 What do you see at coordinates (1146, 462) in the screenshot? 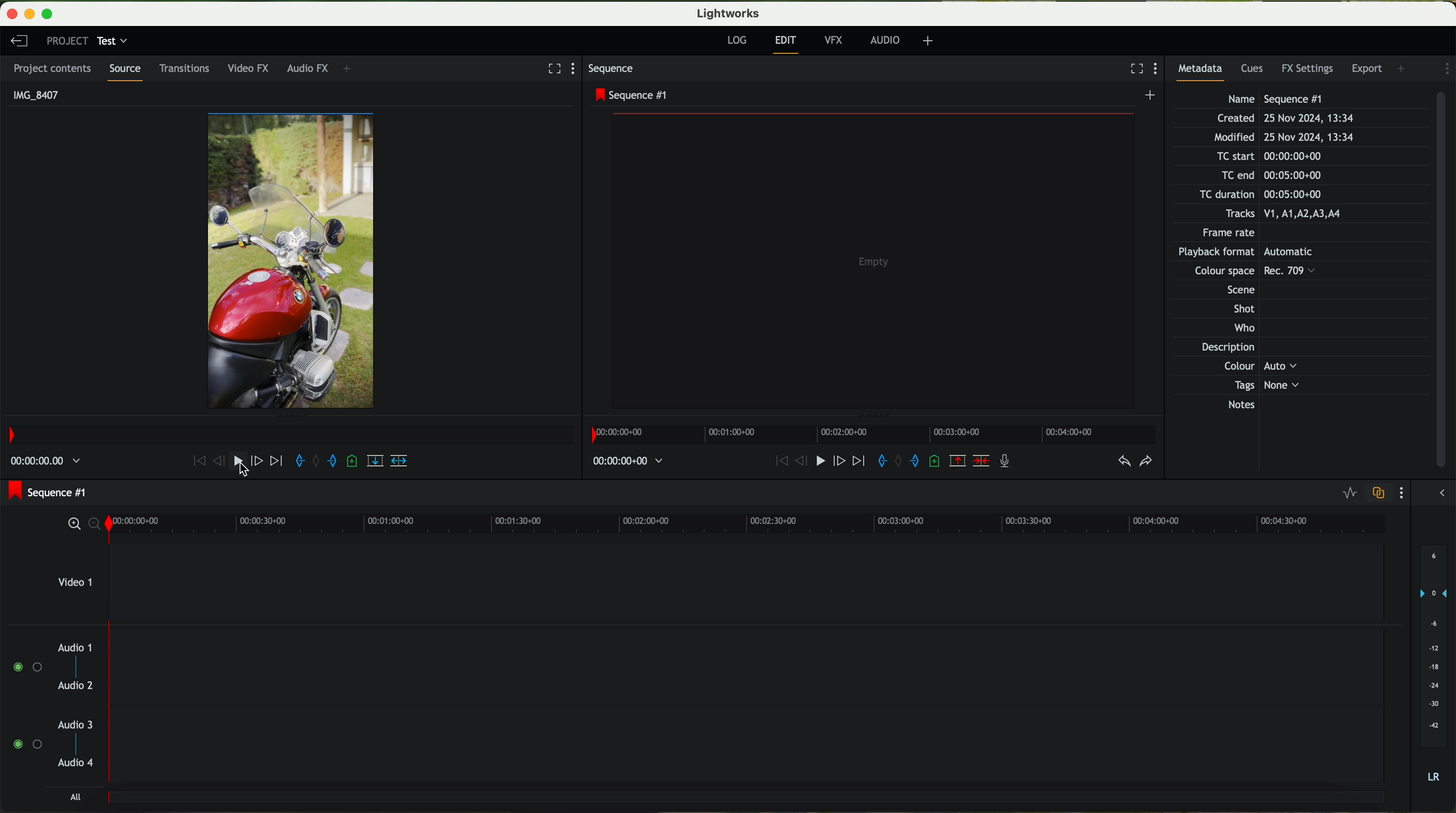
I see `redo` at bounding box center [1146, 462].